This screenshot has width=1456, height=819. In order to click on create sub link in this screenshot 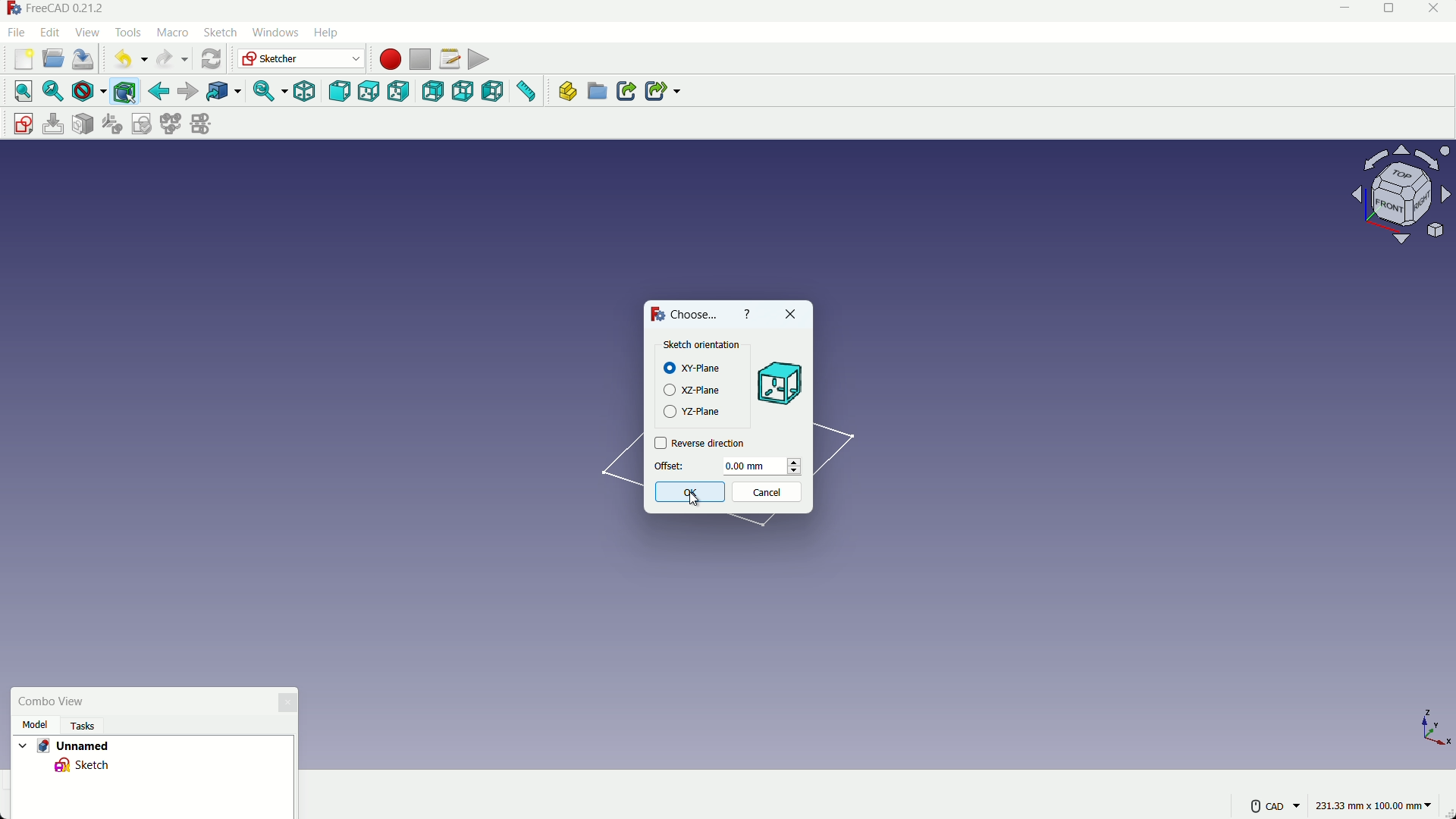, I will do `click(662, 91)`.